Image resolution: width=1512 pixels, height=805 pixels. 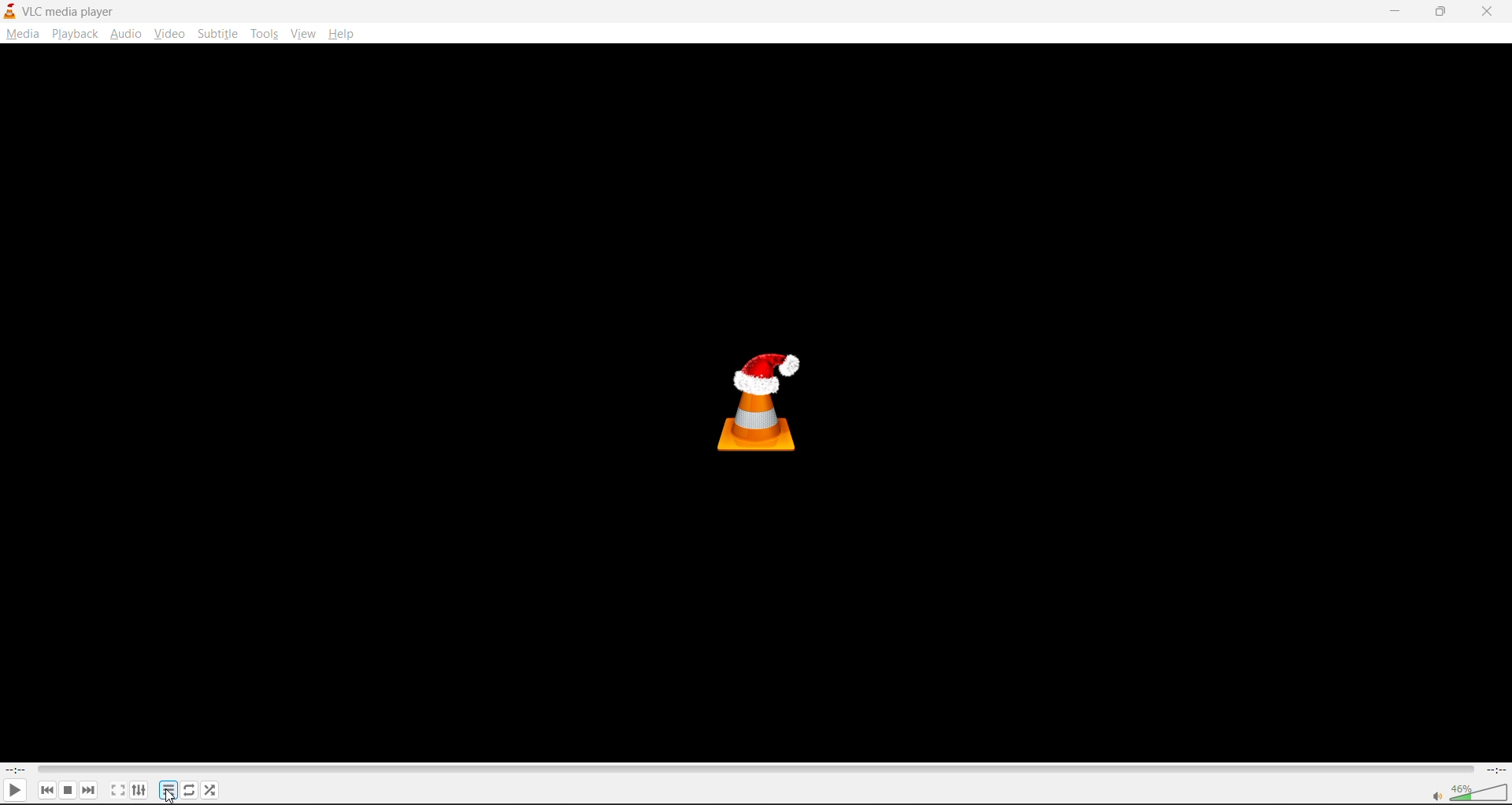 What do you see at coordinates (67, 790) in the screenshot?
I see `stop` at bounding box center [67, 790].